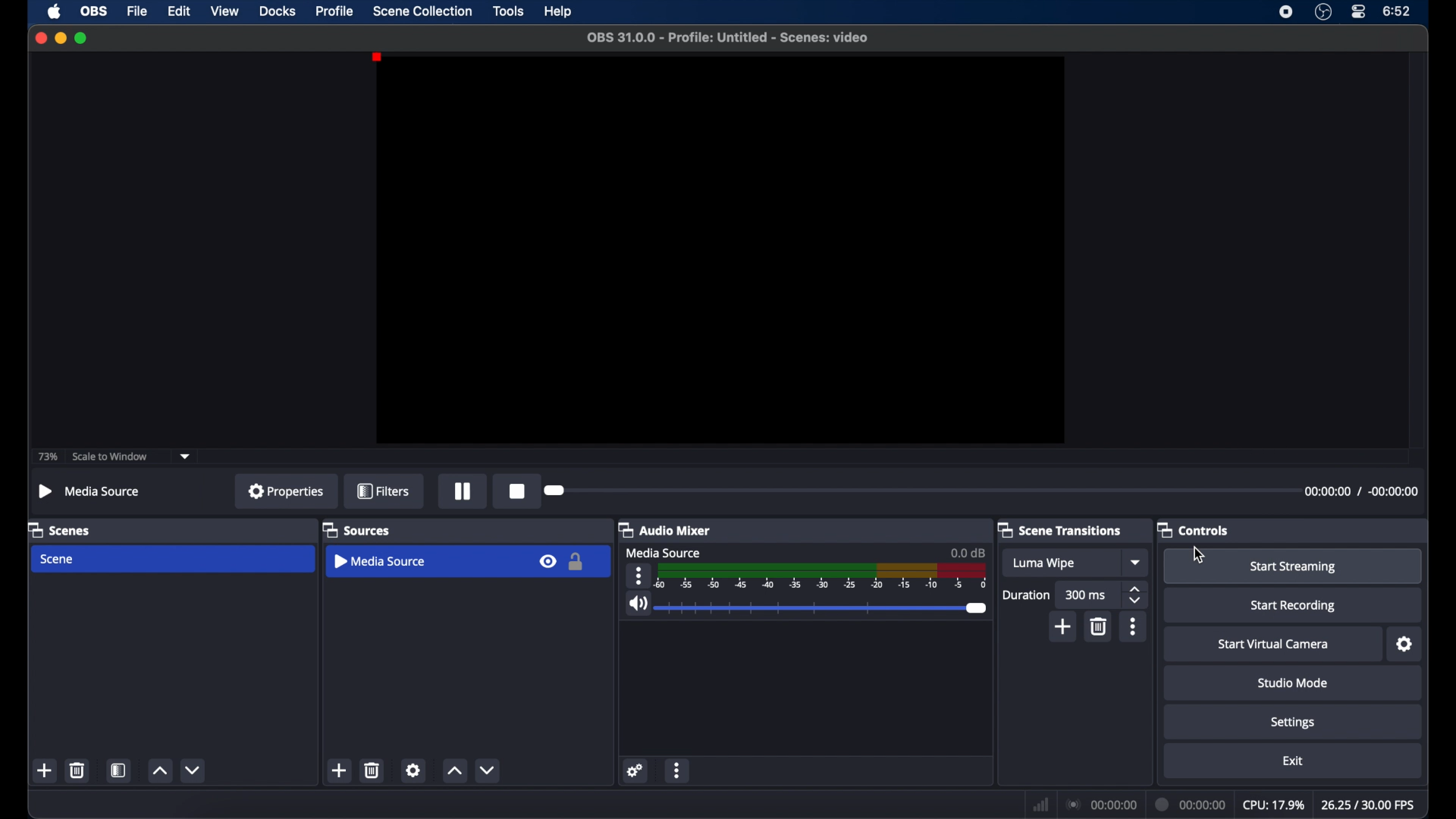 The width and height of the screenshot is (1456, 819). Describe the element at coordinates (277, 11) in the screenshot. I see `docks` at that location.